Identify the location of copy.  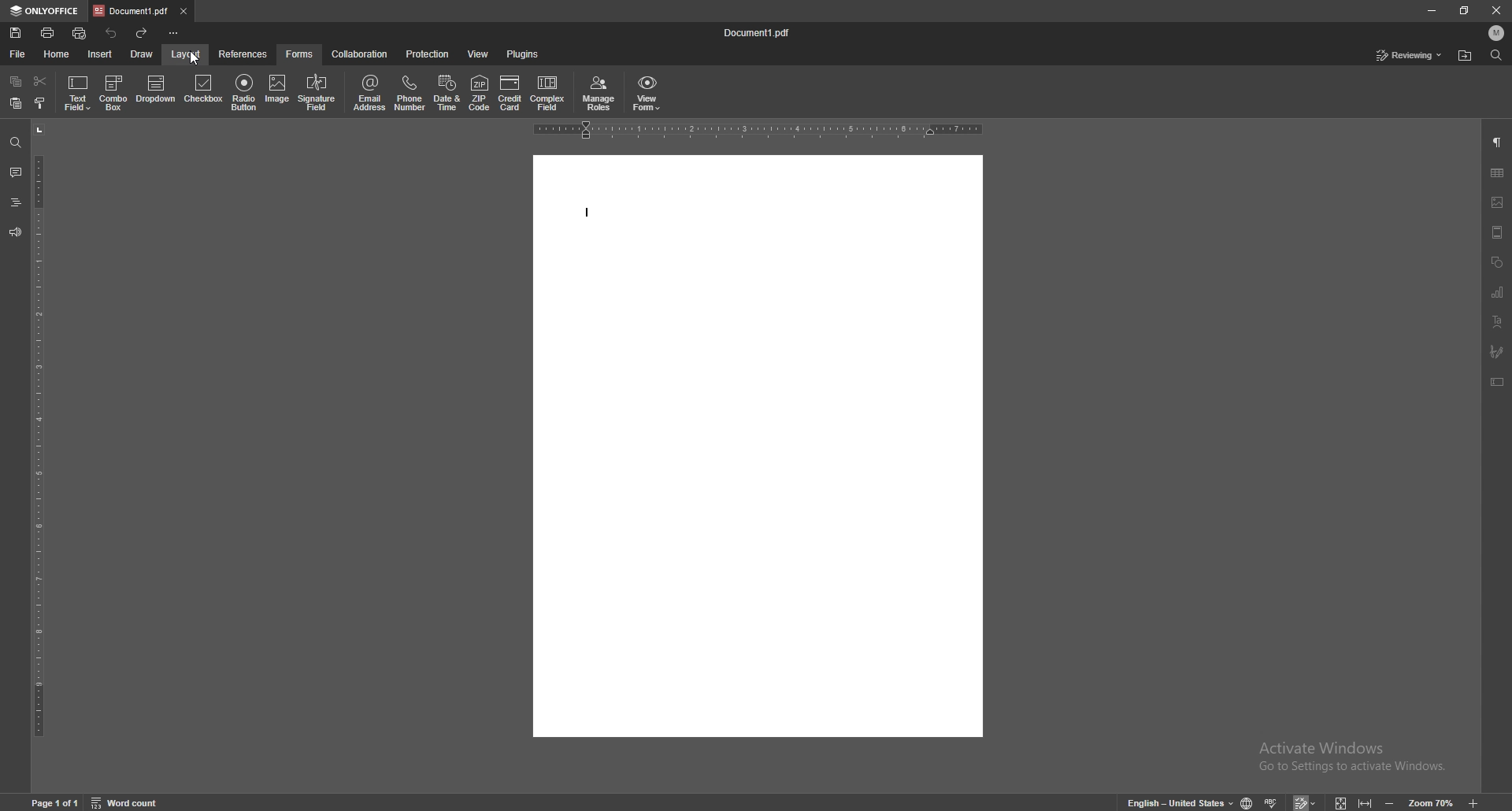
(16, 81).